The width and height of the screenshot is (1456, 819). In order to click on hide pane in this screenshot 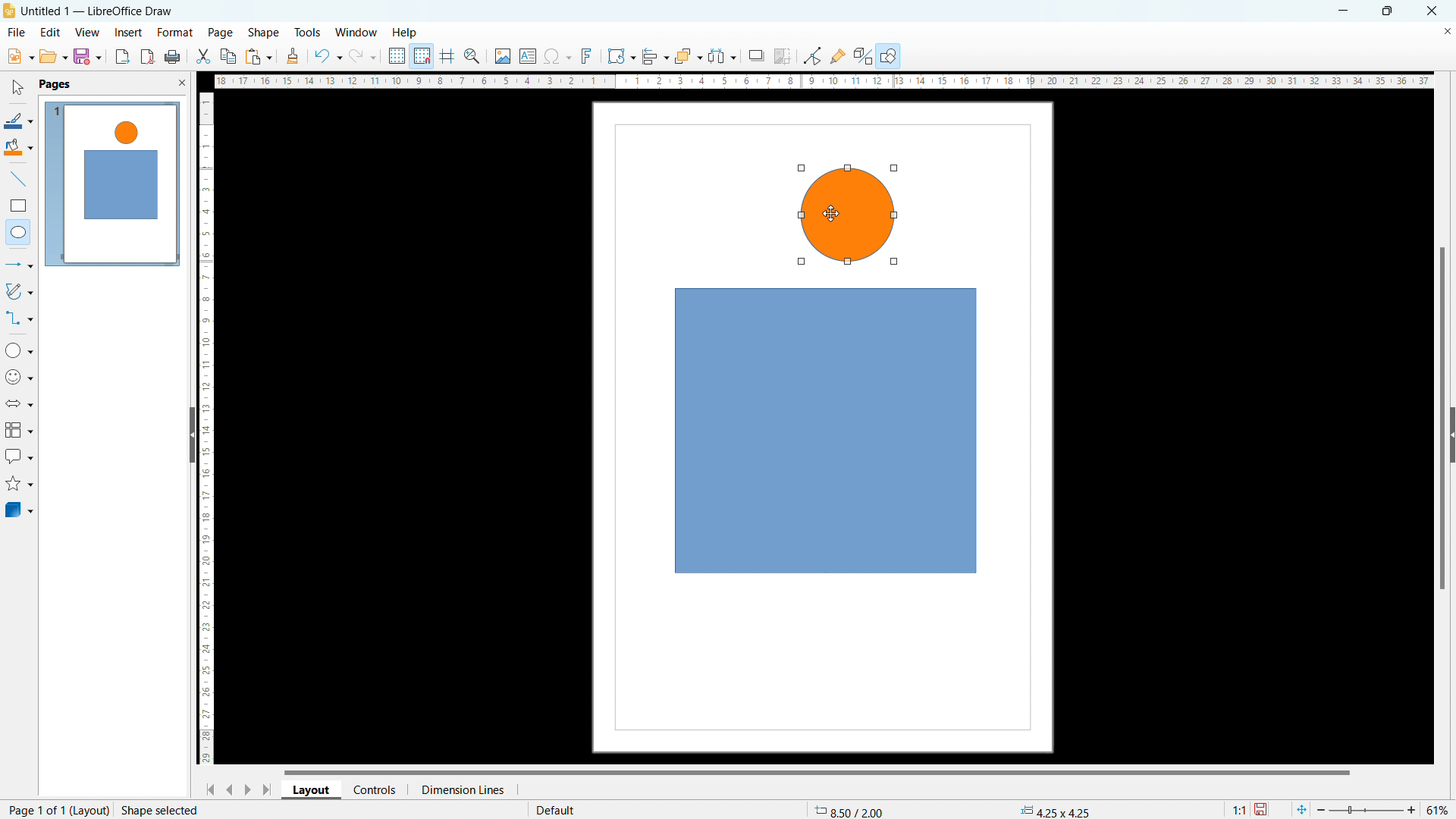, I will do `click(191, 435)`.